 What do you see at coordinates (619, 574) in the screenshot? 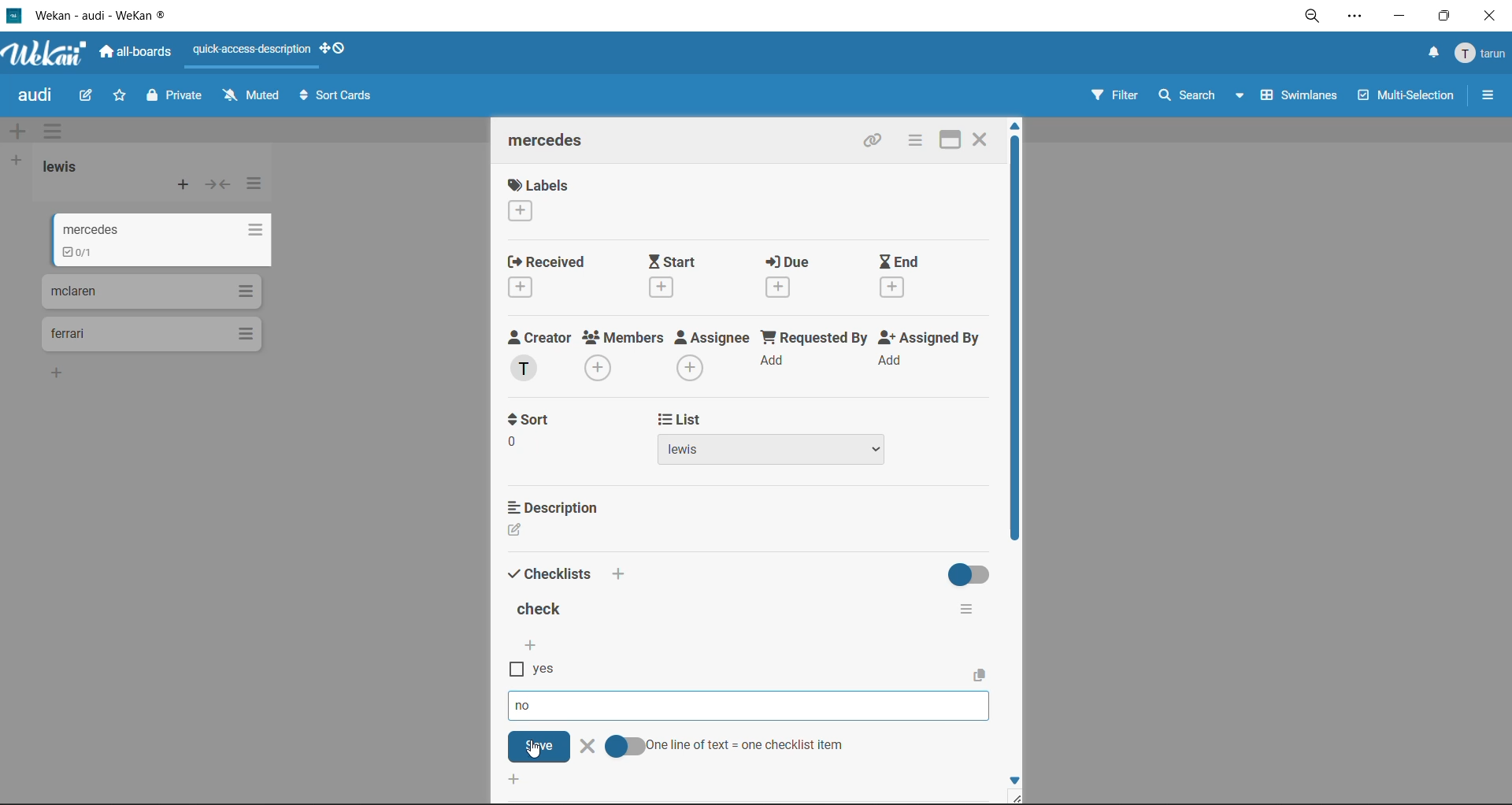
I see `add` at bounding box center [619, 574].